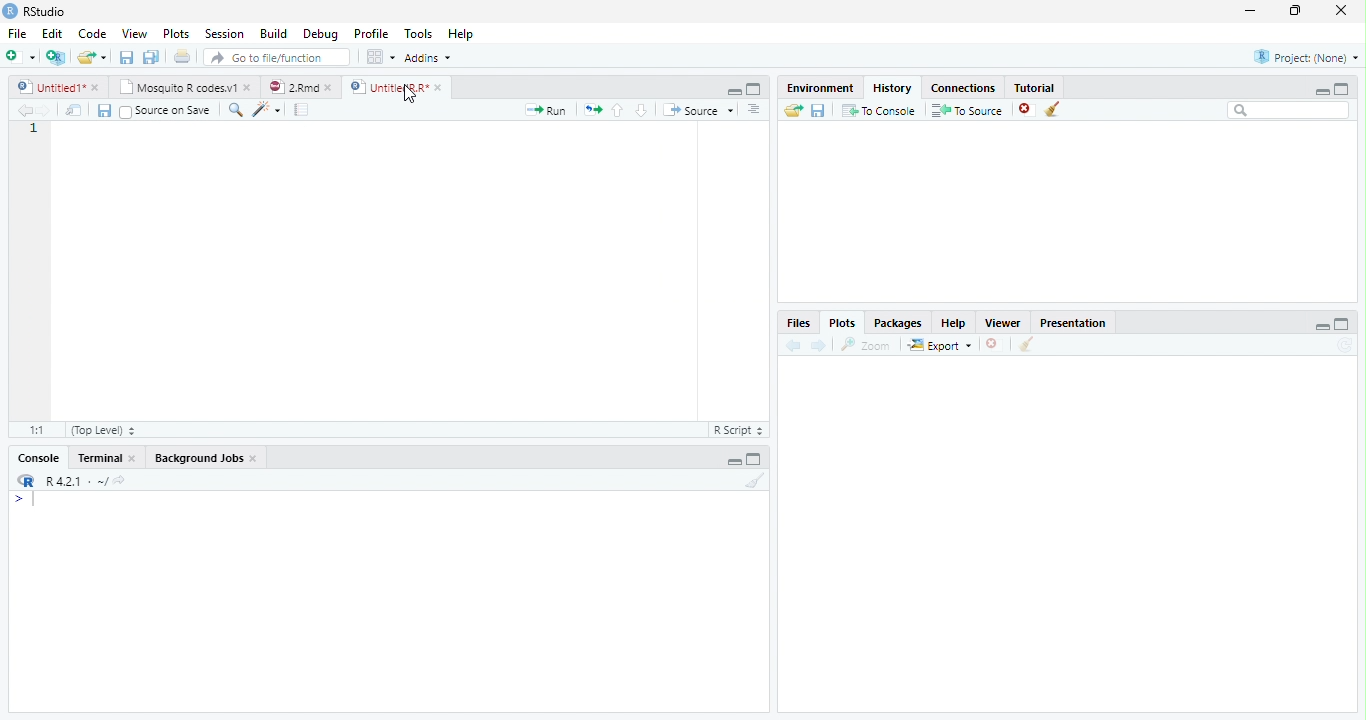  Describe the element at coordinates (410, 94) in the screenshot. I see `cursor` at that location.